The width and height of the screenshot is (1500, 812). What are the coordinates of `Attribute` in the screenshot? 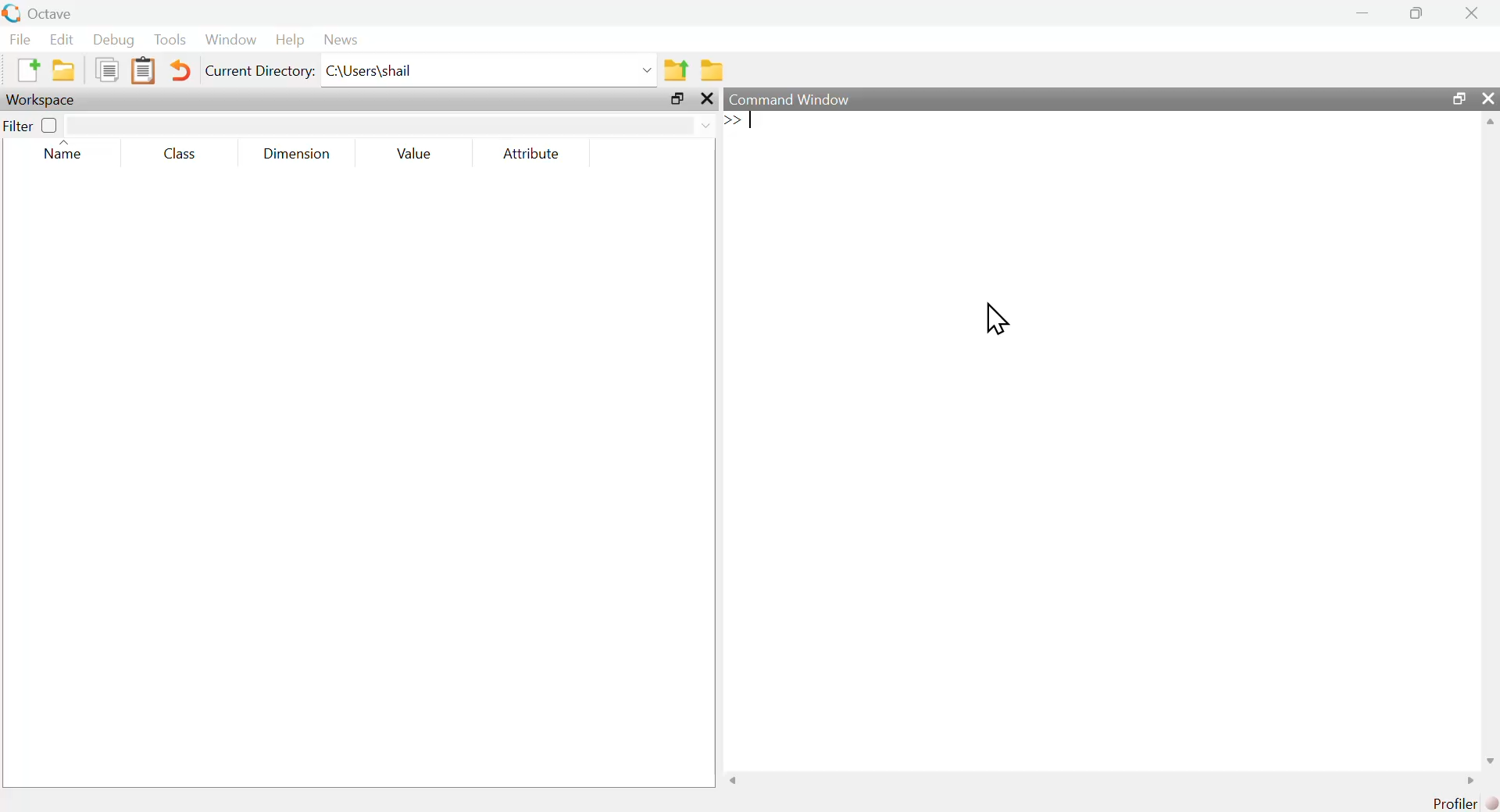 It's located at (533, 154).